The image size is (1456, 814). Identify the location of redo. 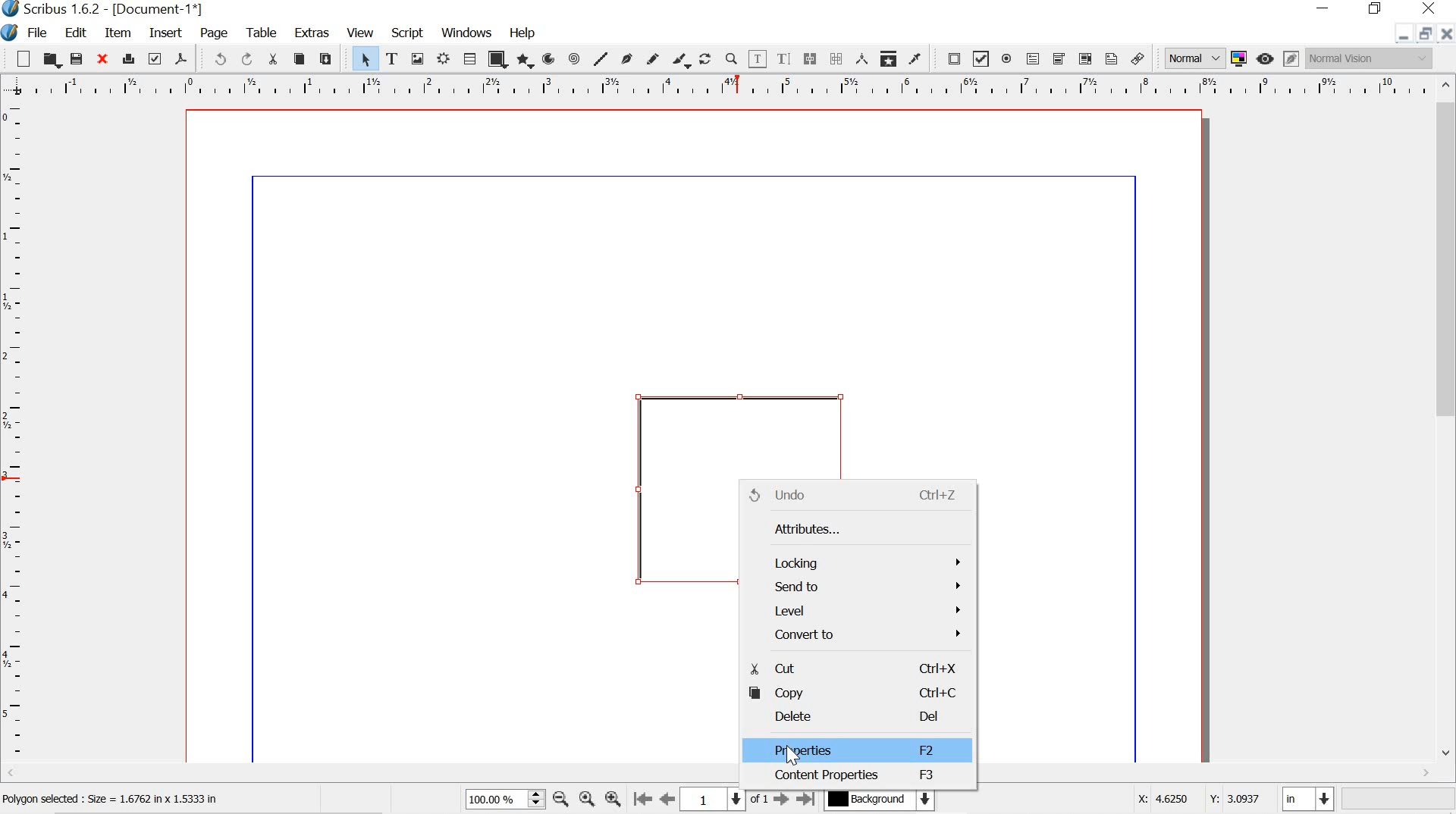
(246, 58).